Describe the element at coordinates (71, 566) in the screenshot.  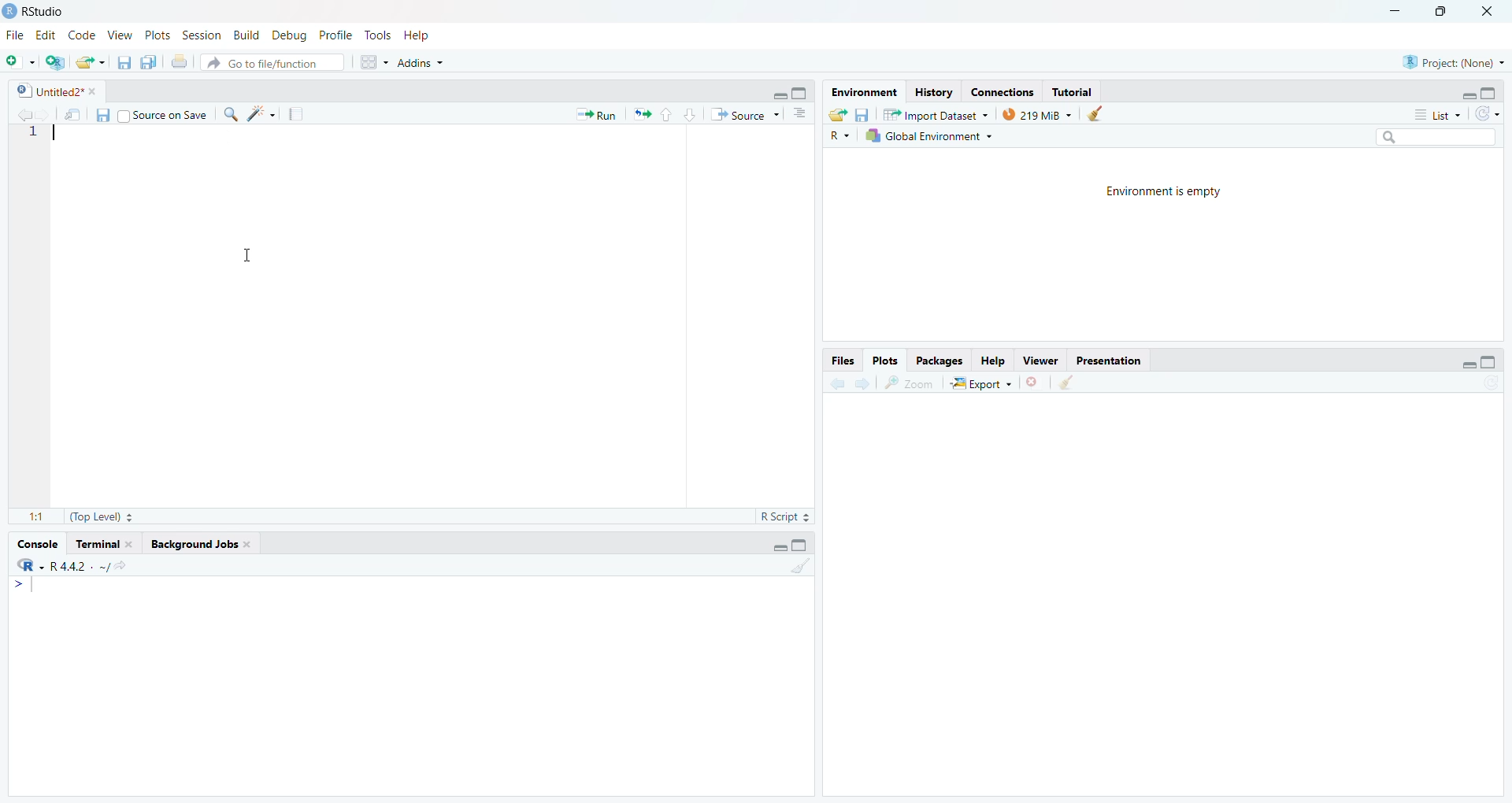
I see `R-R442. ~/` at that location.